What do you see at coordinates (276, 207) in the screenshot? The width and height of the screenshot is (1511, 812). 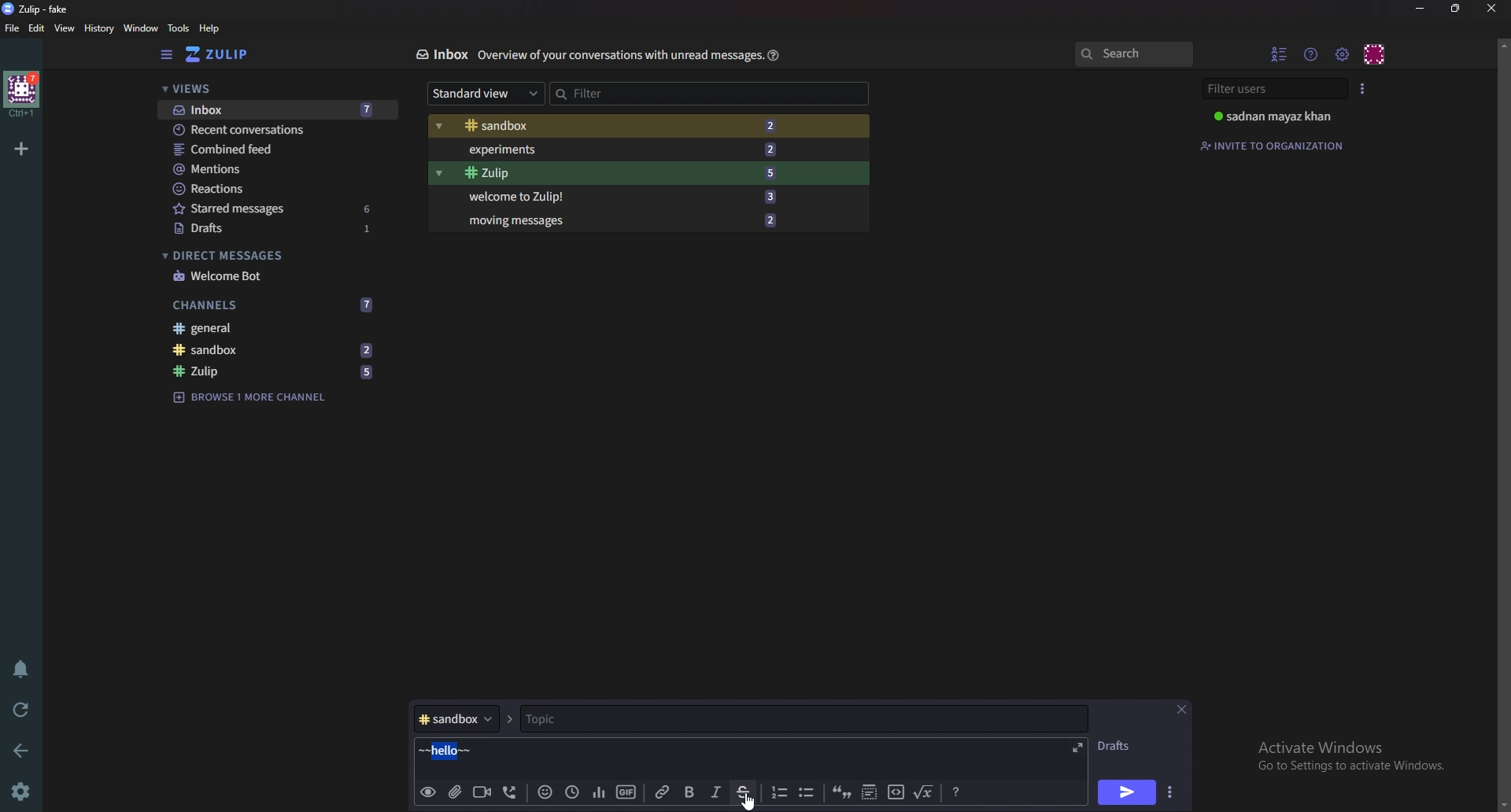 I see `Starred messages` at bounding box center [276, 207].